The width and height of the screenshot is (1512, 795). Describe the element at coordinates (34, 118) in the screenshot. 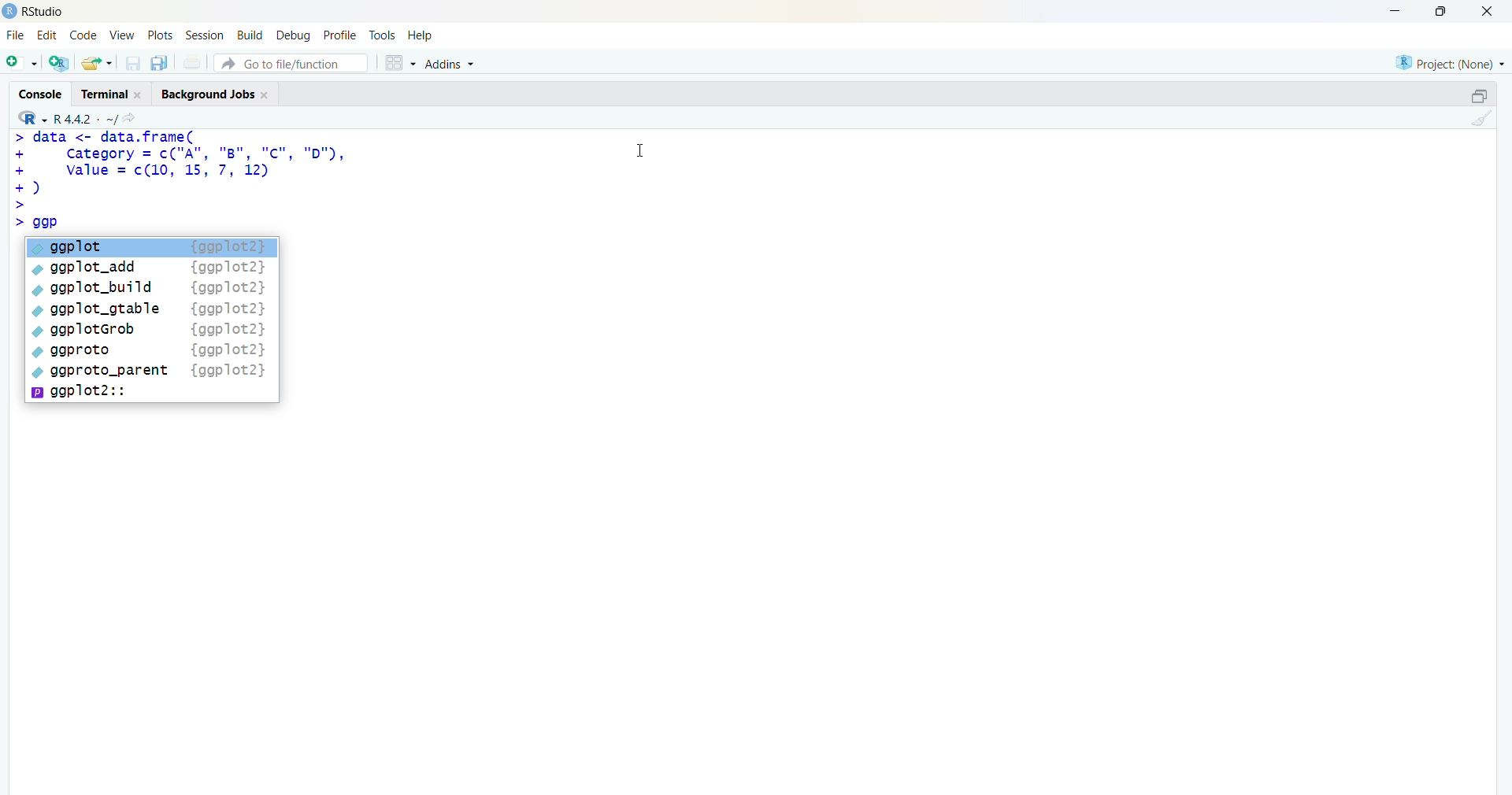

I see `R language` at that location.